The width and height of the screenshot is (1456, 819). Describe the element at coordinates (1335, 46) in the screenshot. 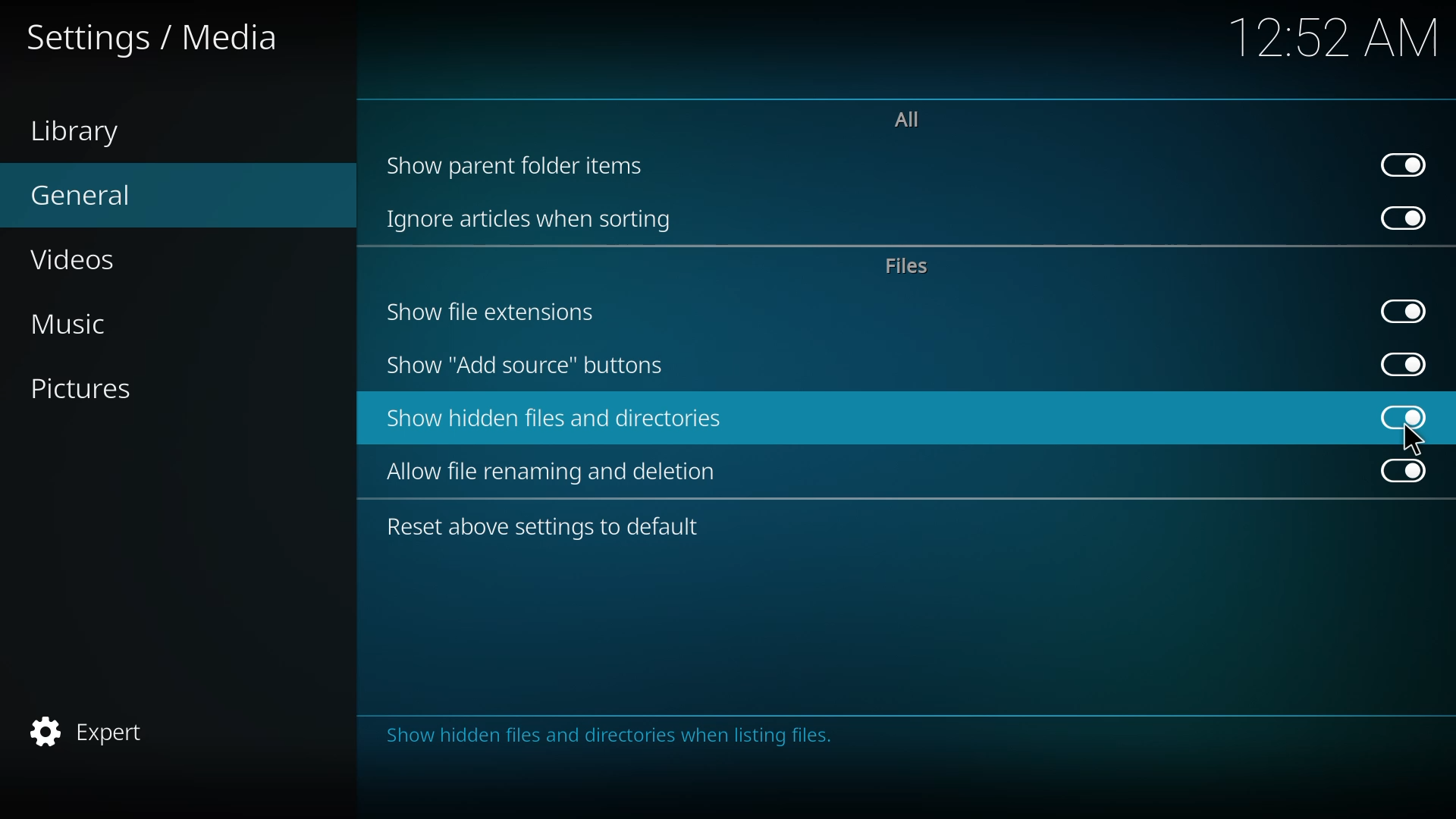

I see `12:52 AM` at that location.